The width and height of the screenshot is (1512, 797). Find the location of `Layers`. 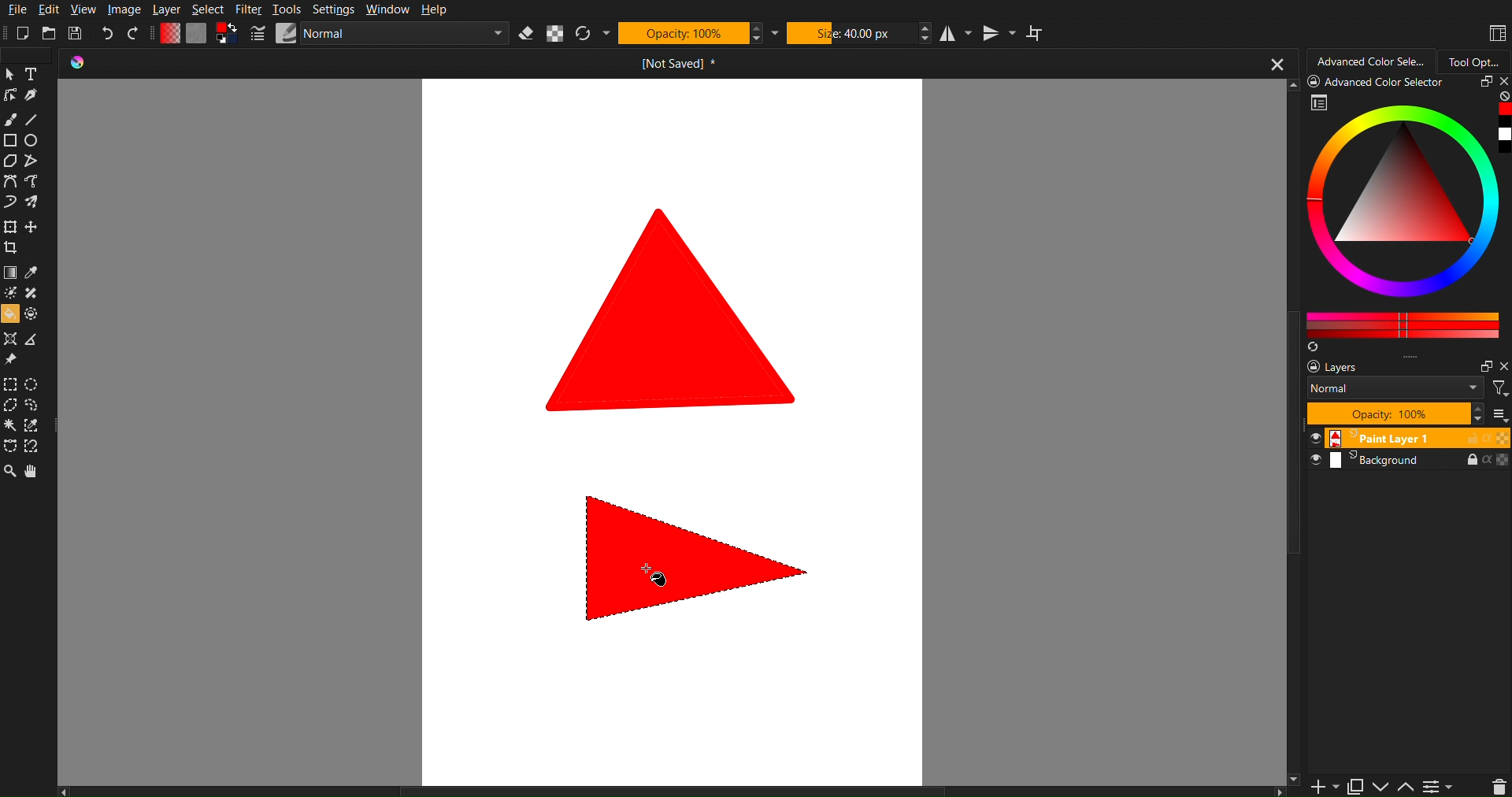

Layers is located at coordinates (1403, 413).